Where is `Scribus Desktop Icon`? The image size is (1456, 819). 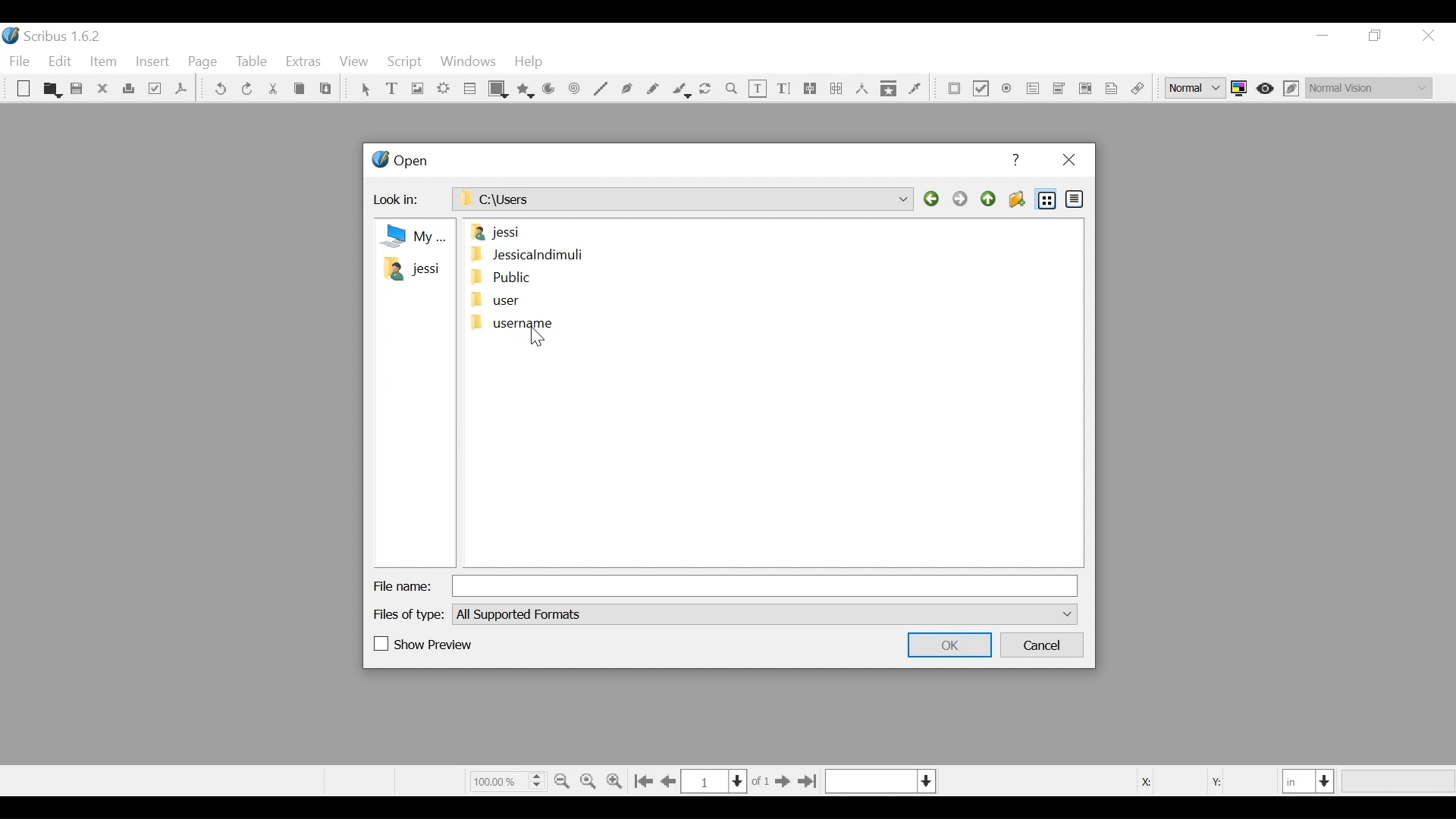
Scribus Desktop Icon is located at coordinates (56, 38).